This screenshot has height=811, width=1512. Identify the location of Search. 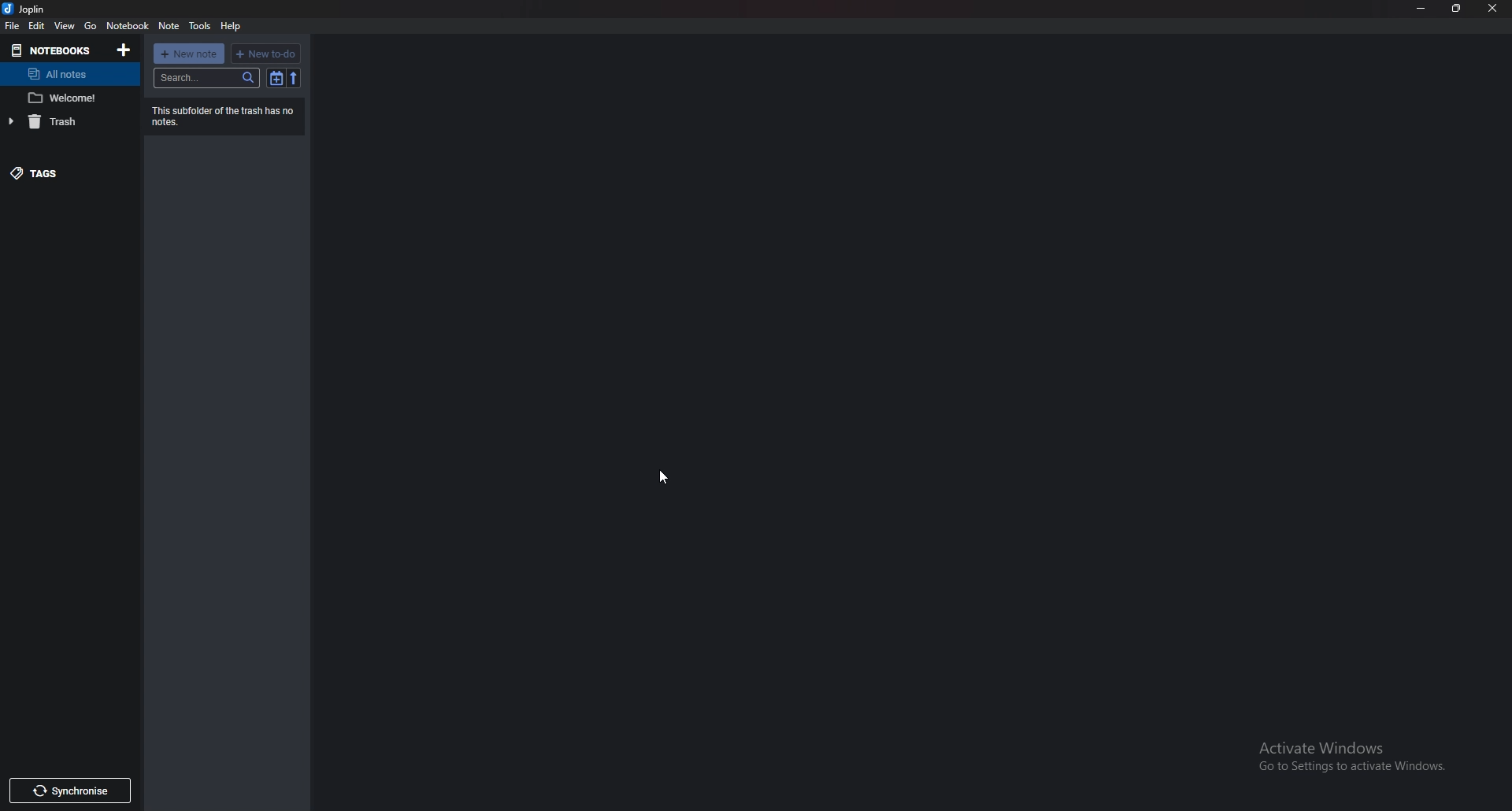
(206, 78).